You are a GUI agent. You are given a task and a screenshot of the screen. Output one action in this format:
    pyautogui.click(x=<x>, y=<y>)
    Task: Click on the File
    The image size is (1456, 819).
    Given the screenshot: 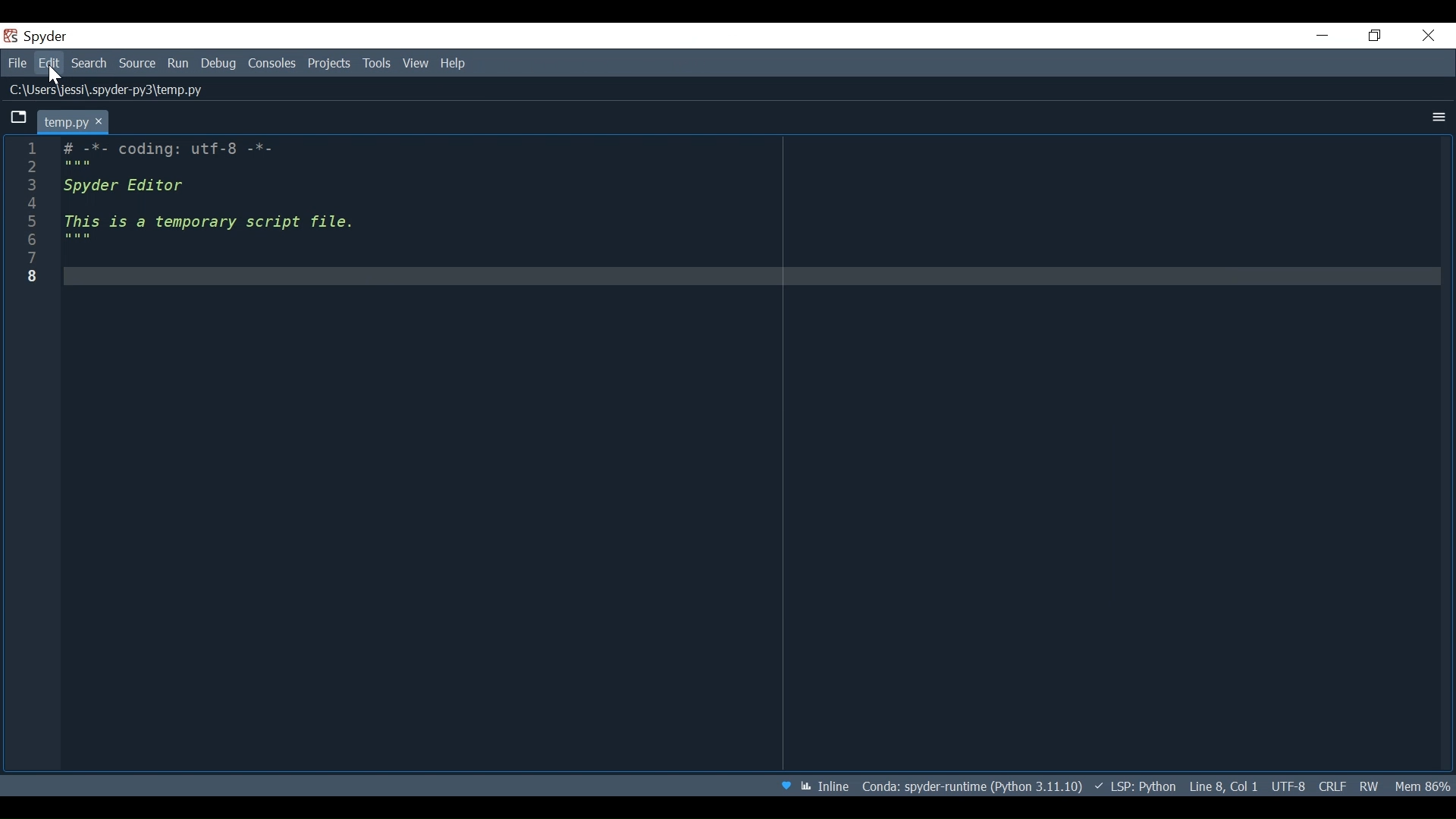 What is the action you would take?
    pyautogui.click(x=20, y=65)
    